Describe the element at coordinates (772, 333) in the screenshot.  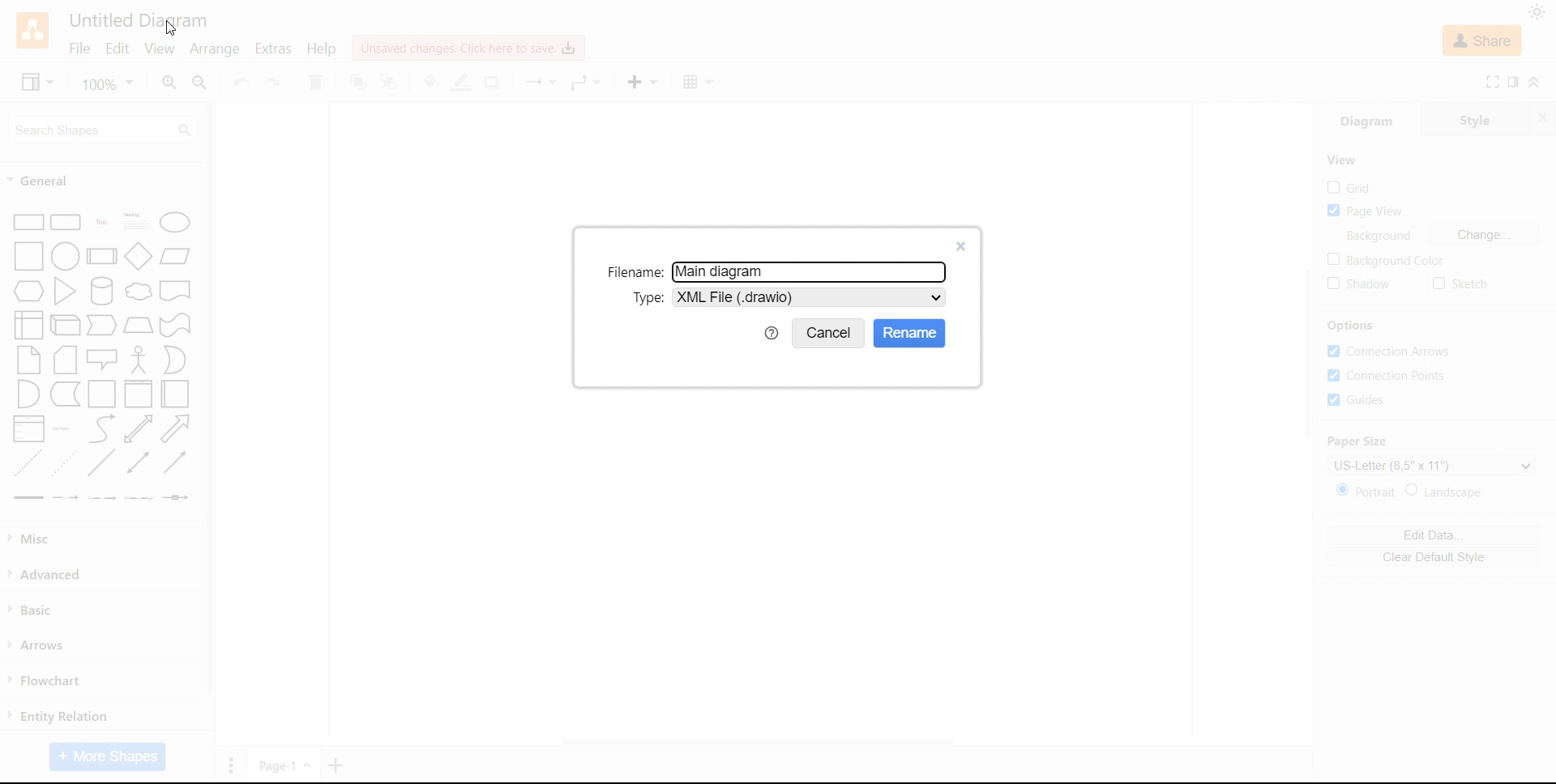
I see `help ` at that location.